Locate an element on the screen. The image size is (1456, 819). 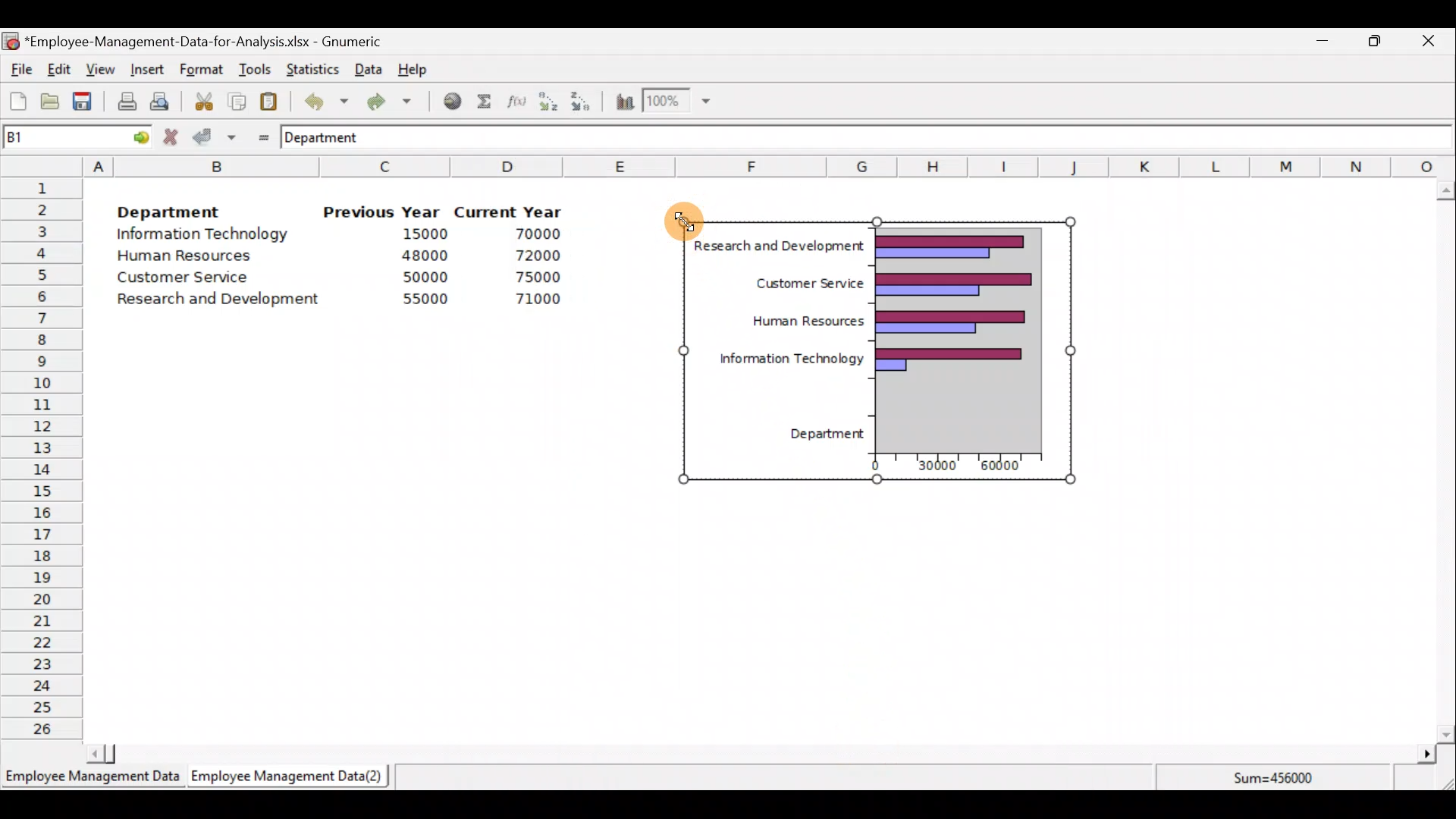
55000 is located at coordinates (426, 299).